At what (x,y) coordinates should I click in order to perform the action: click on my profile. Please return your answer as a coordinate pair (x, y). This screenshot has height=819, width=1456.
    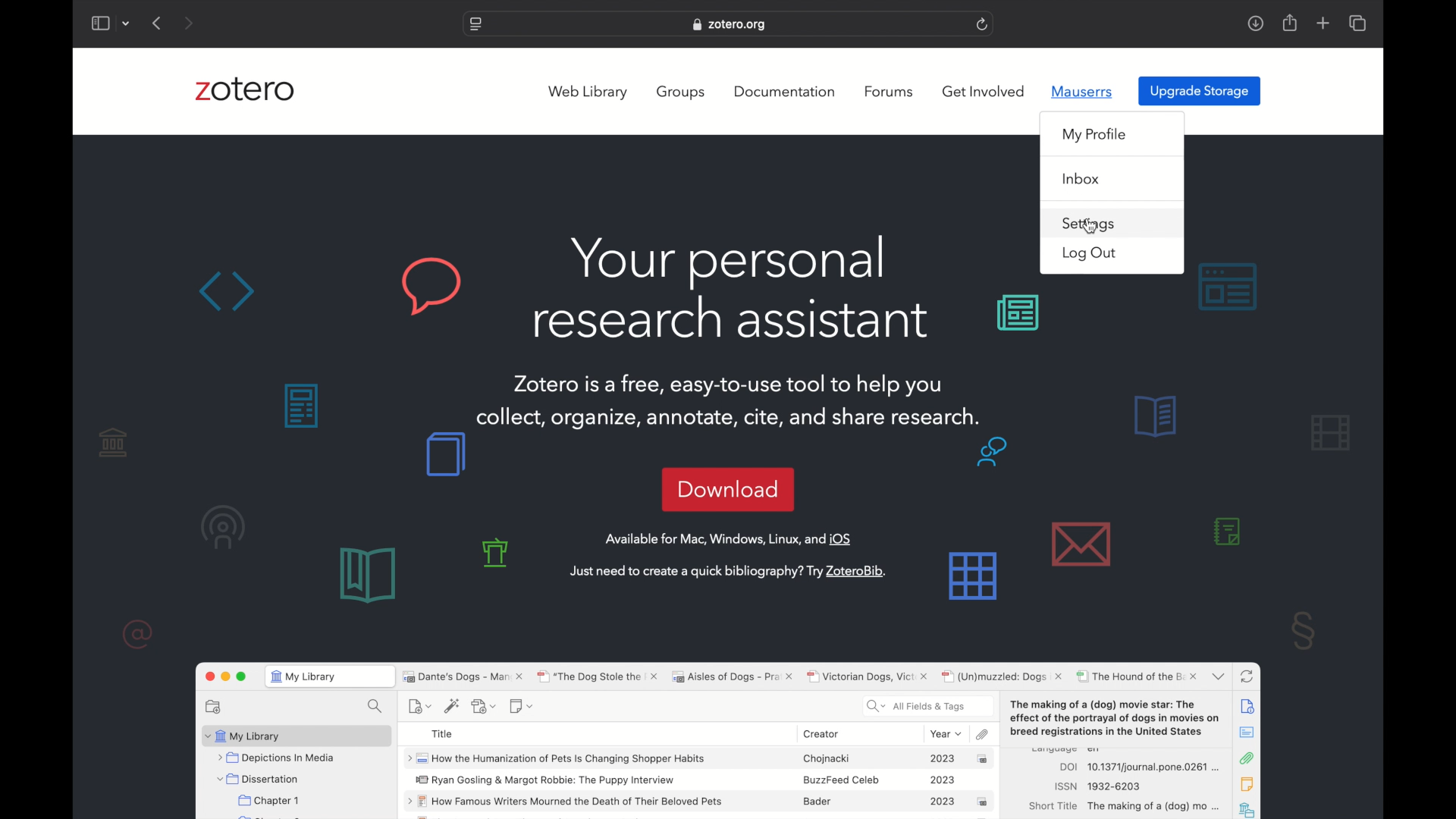
    Looking at the image, I should click on (1094, 135).